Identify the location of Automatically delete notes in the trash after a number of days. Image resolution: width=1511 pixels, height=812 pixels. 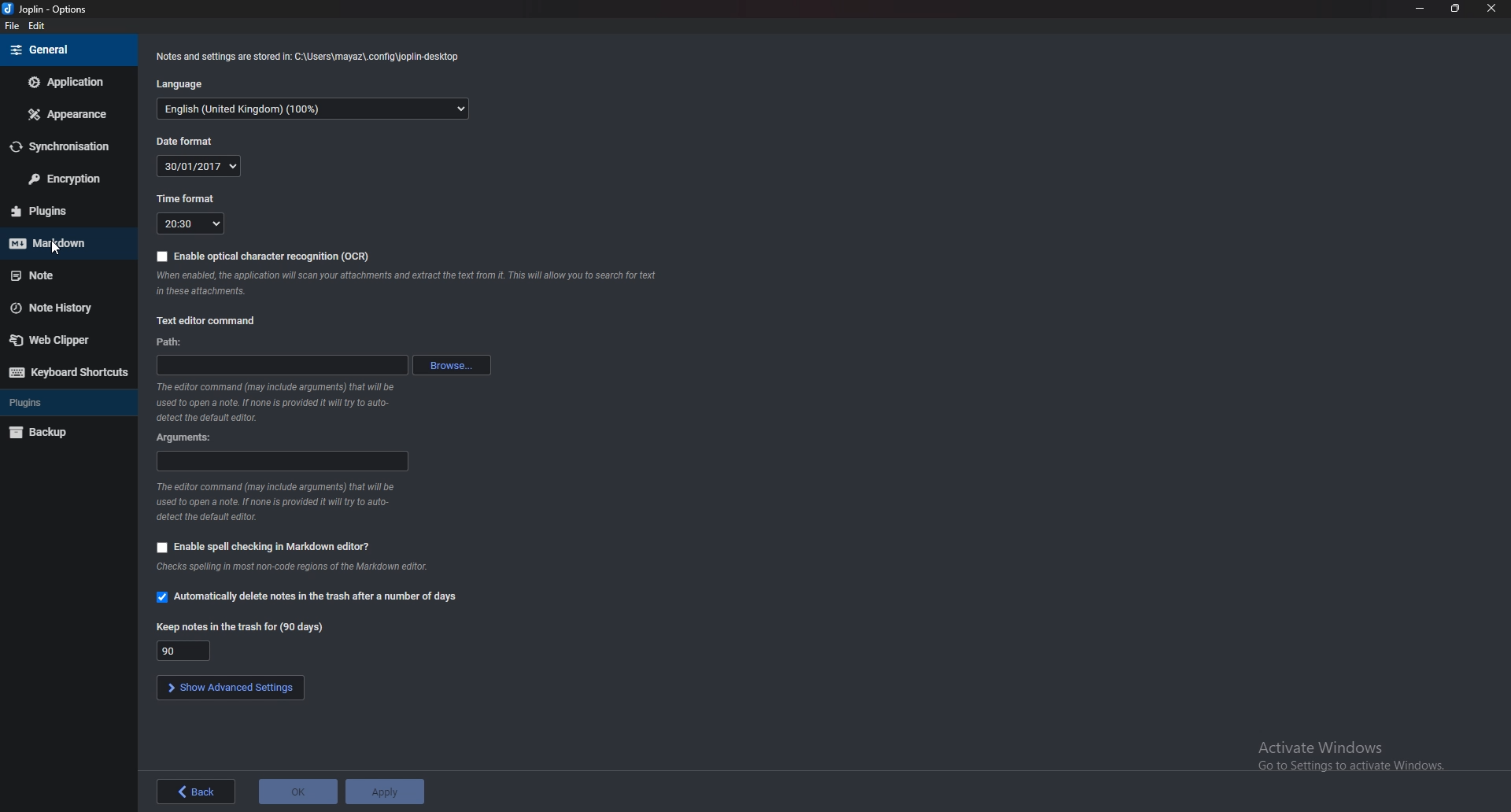
(307, 598).